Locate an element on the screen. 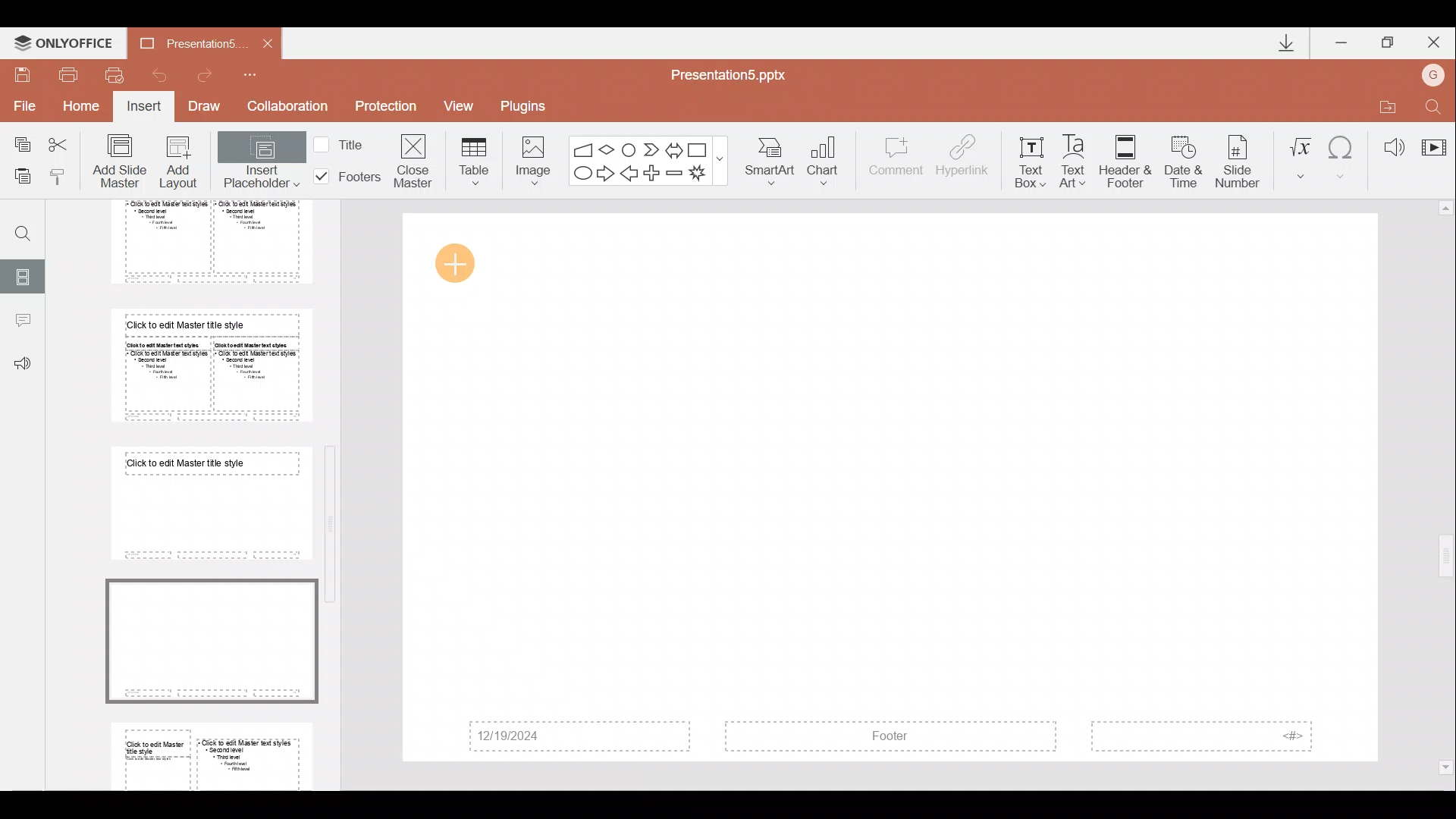 Image resolution: width=1456 pixels, height=819 pixels. File is located at coordinates (22, 105).